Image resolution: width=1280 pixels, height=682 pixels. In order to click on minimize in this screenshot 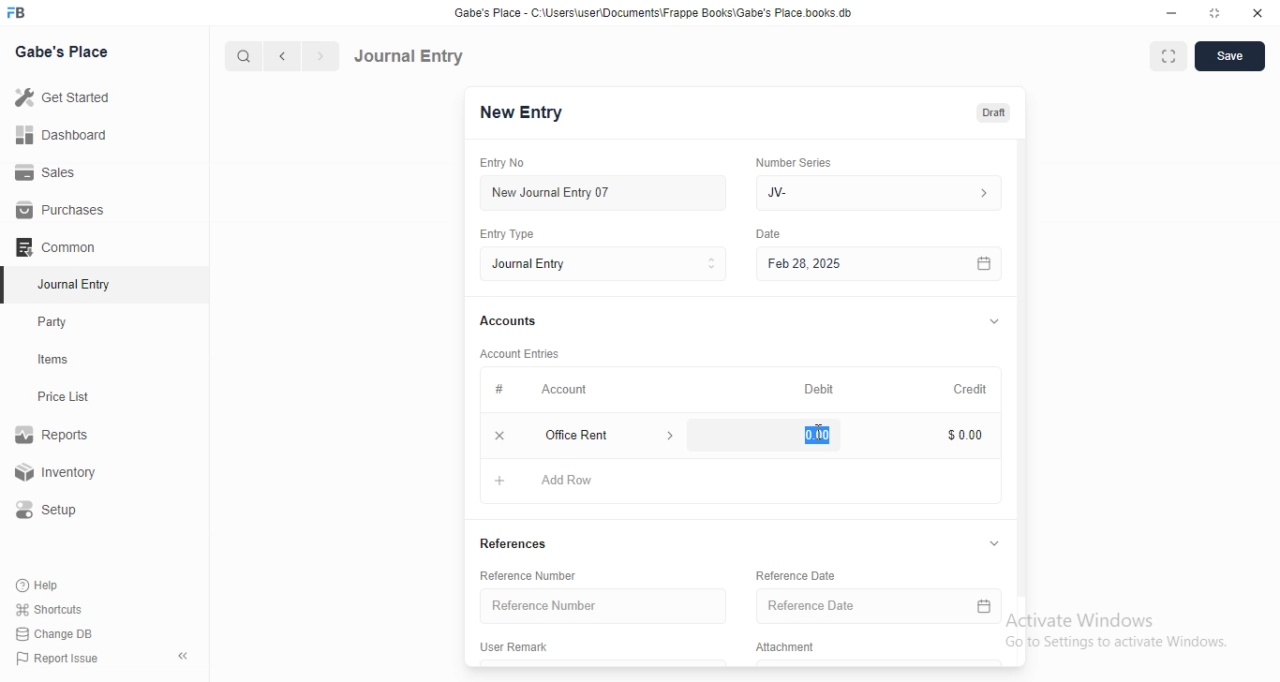, I will do `click(1172, 13)`.